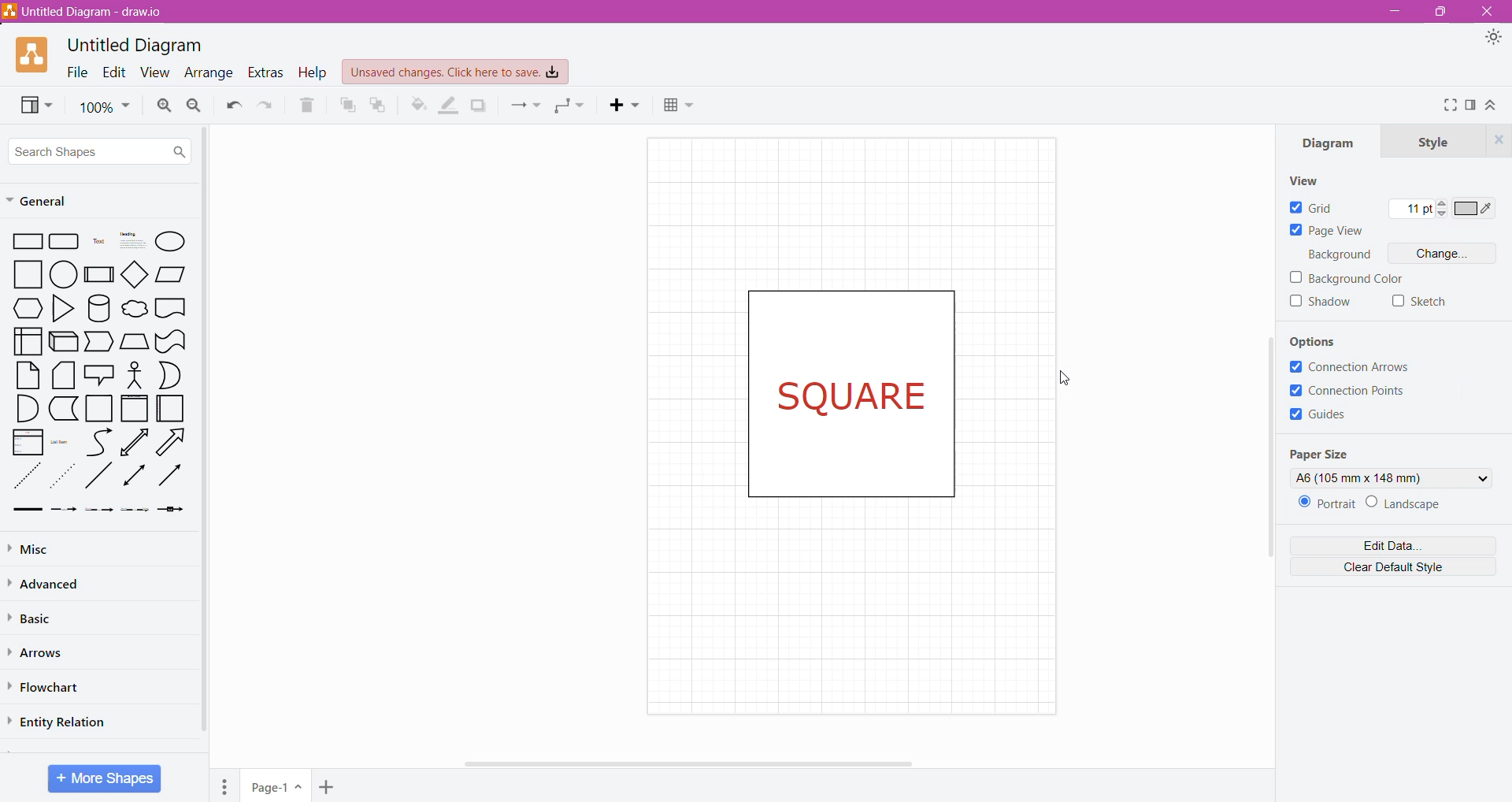 Image resolution: width=1512 pixels, height=802 pixels. Describe the element at coordinates (28, 375) in the screenshot. I see `Paper Sheet ` at that location.